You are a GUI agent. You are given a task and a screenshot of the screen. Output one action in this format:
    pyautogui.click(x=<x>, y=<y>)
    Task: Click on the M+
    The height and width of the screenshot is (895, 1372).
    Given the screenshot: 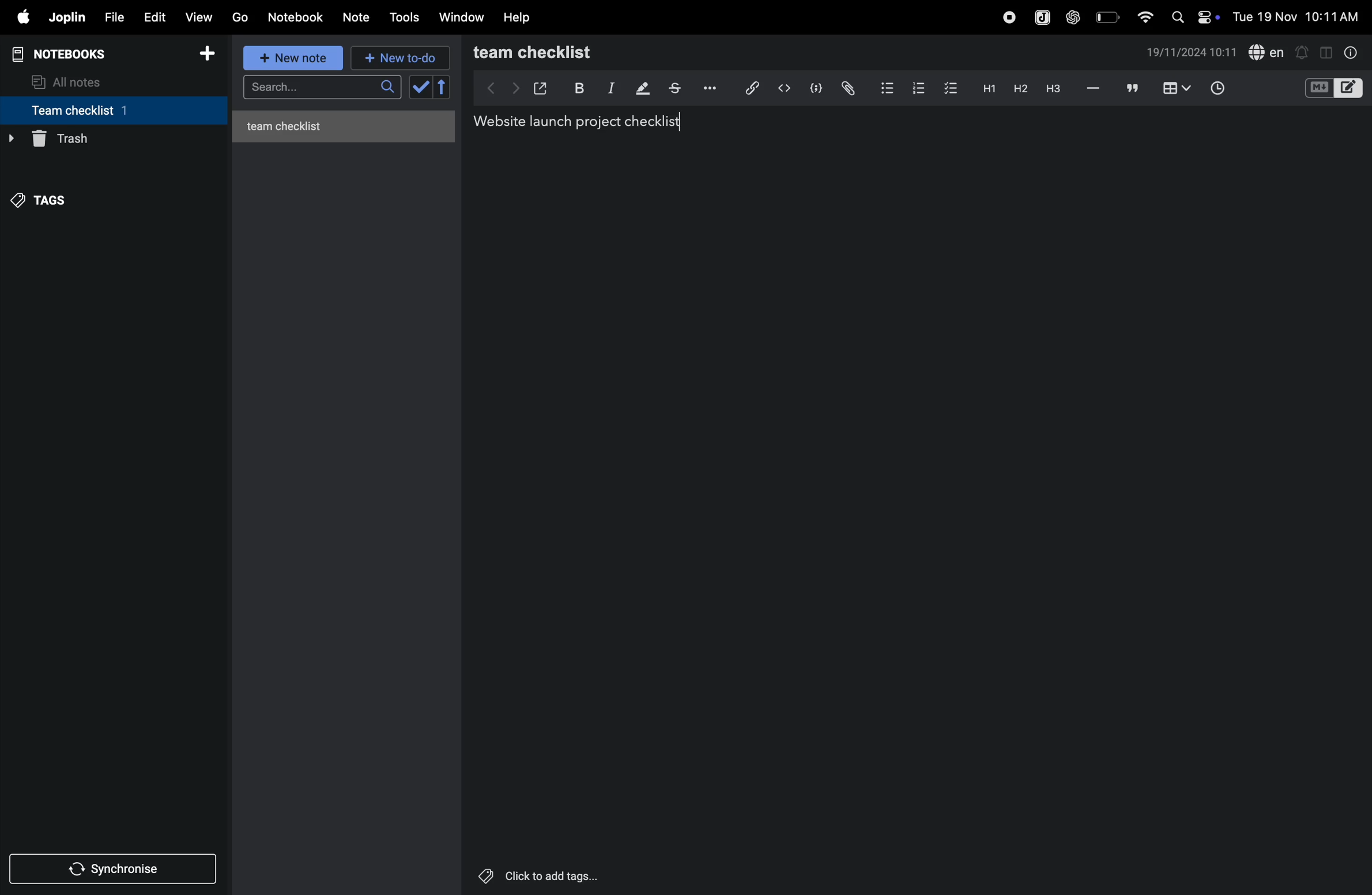 What is the action you would take?
    pyautogui.click(x=1318, y=88)
    